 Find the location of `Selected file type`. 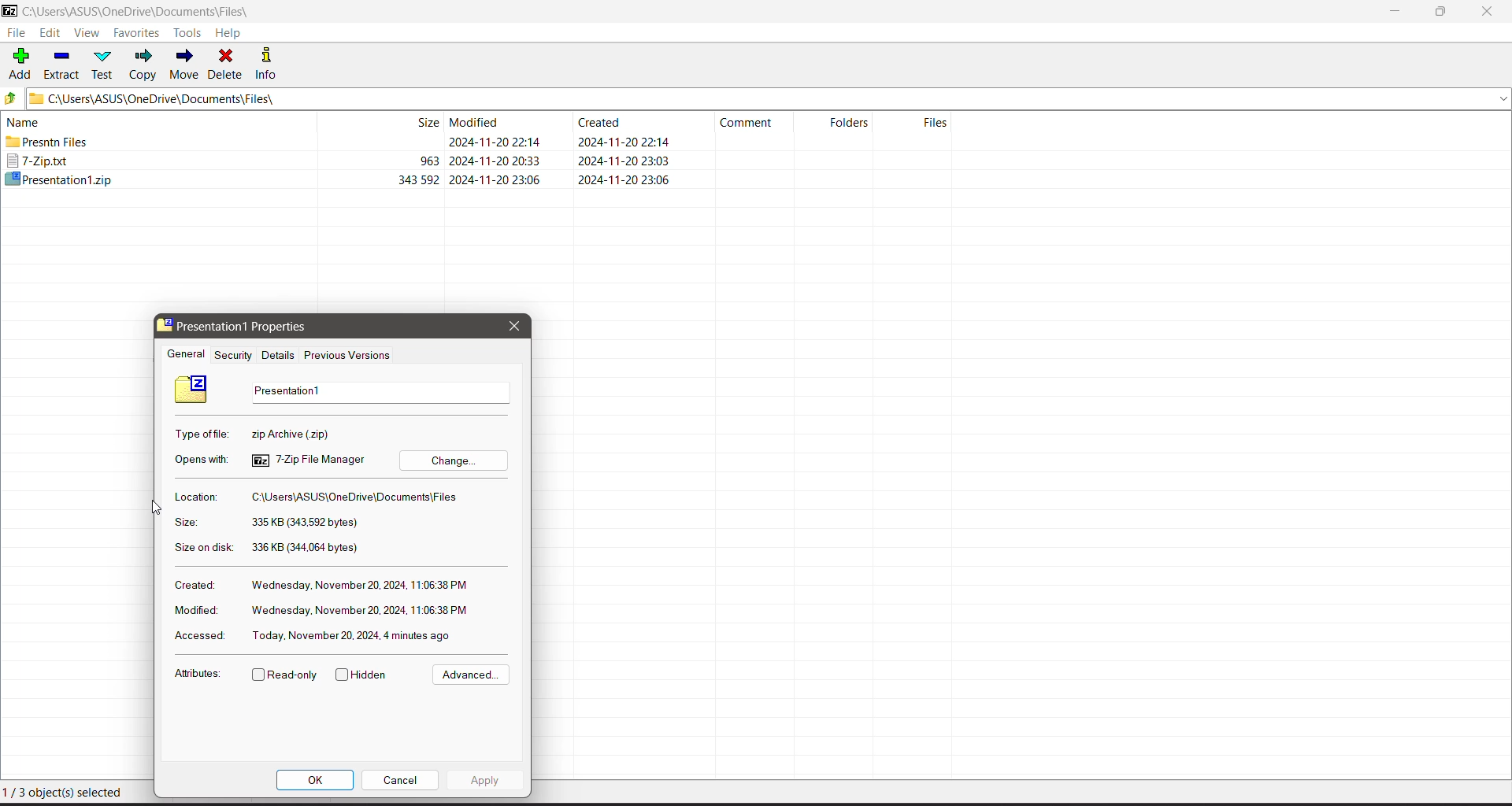

Selected file type is located at coordinates (343, 435).